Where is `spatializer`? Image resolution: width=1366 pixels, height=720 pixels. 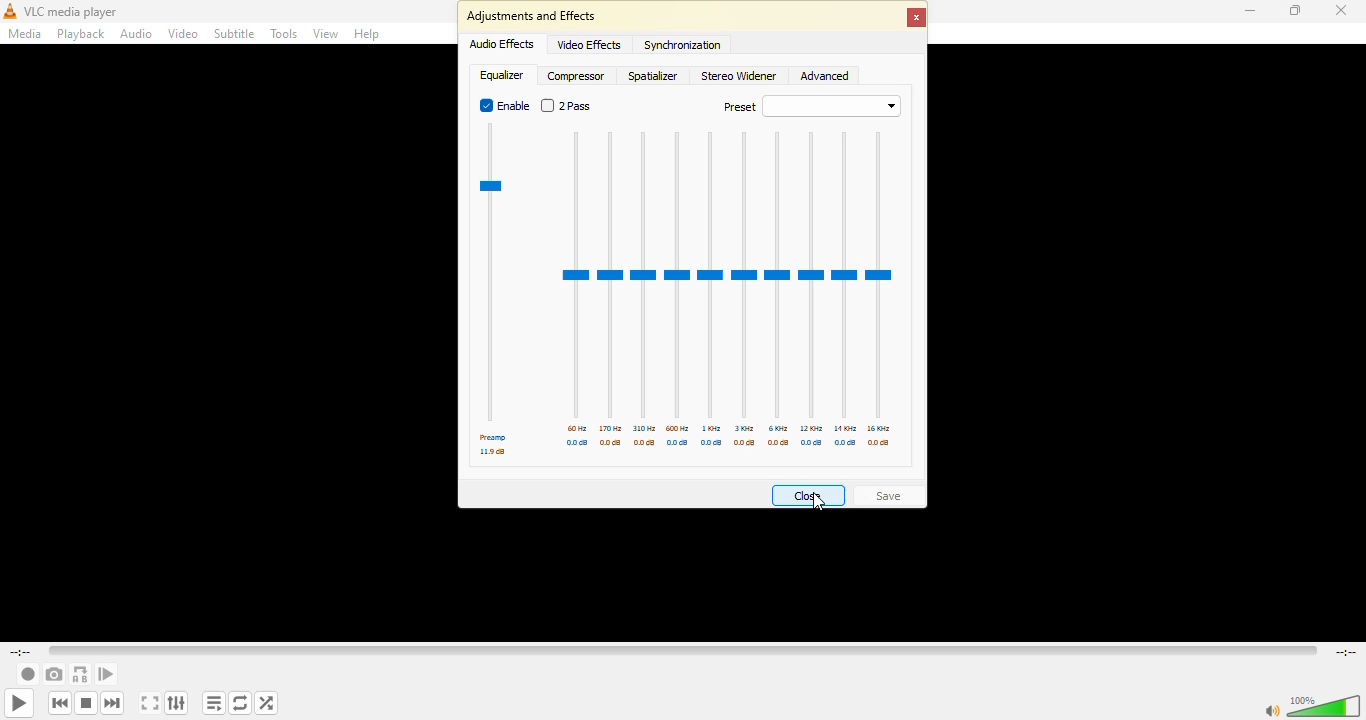 spatializer is located at coordinates (655, 79).